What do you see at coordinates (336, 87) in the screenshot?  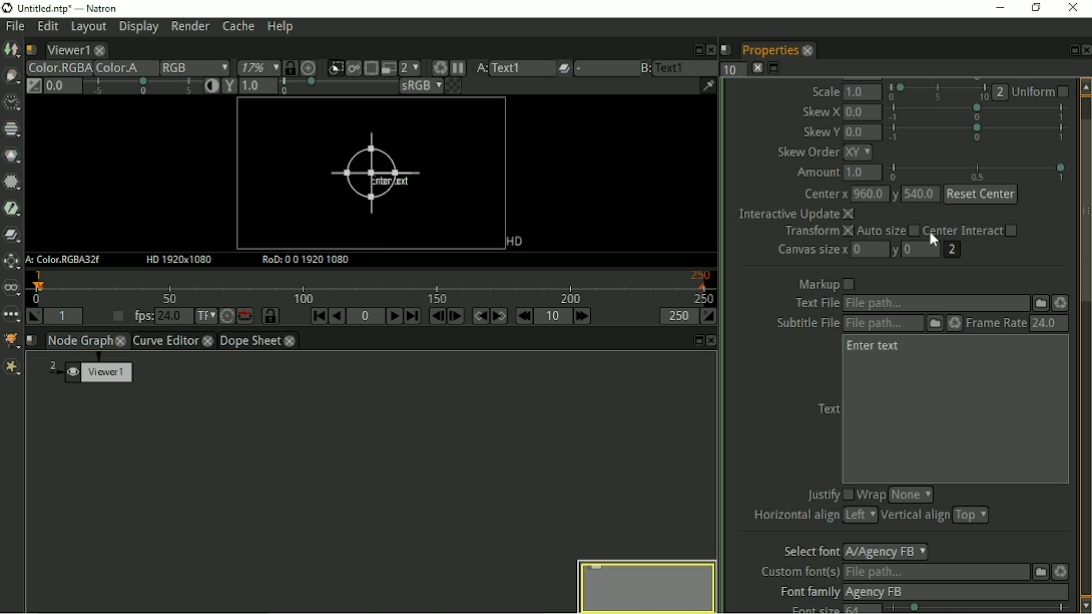 I see `selection bar` at bounding box center [336, 87].